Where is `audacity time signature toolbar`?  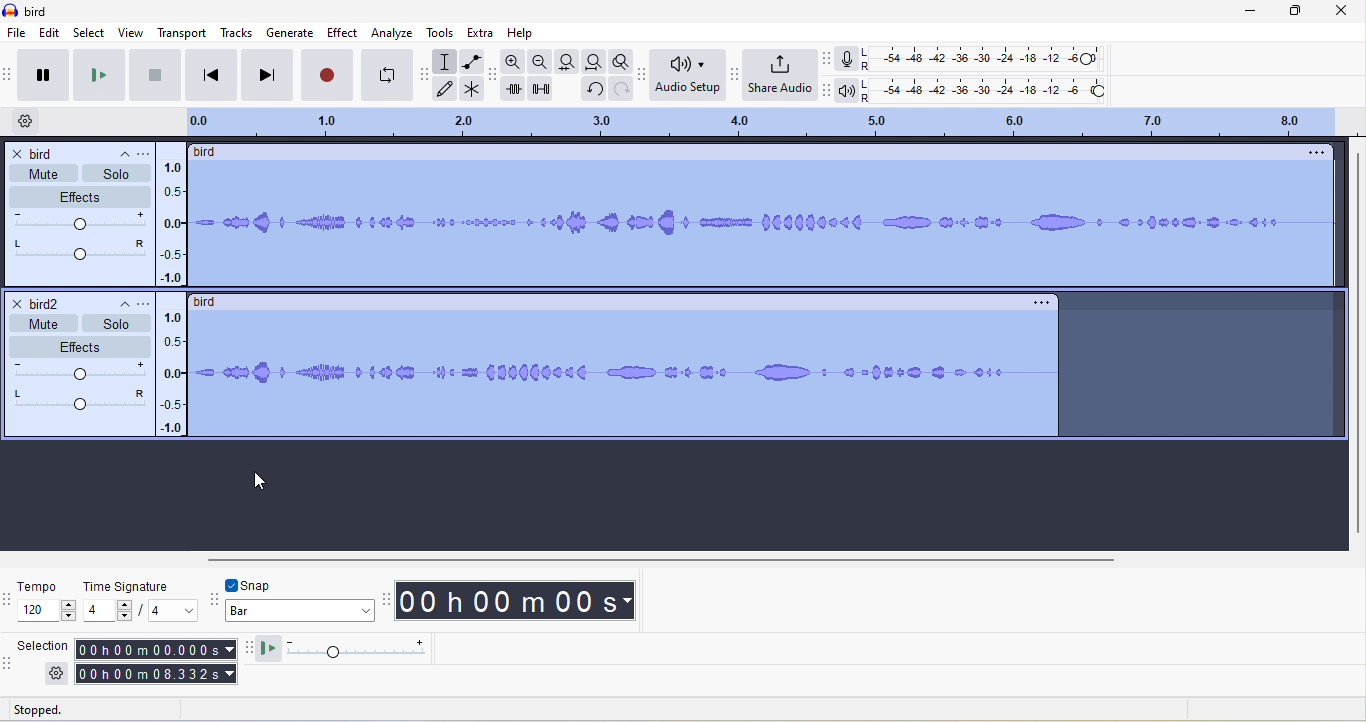
audacity time signature toolbar is located at coordinates (9, 606).